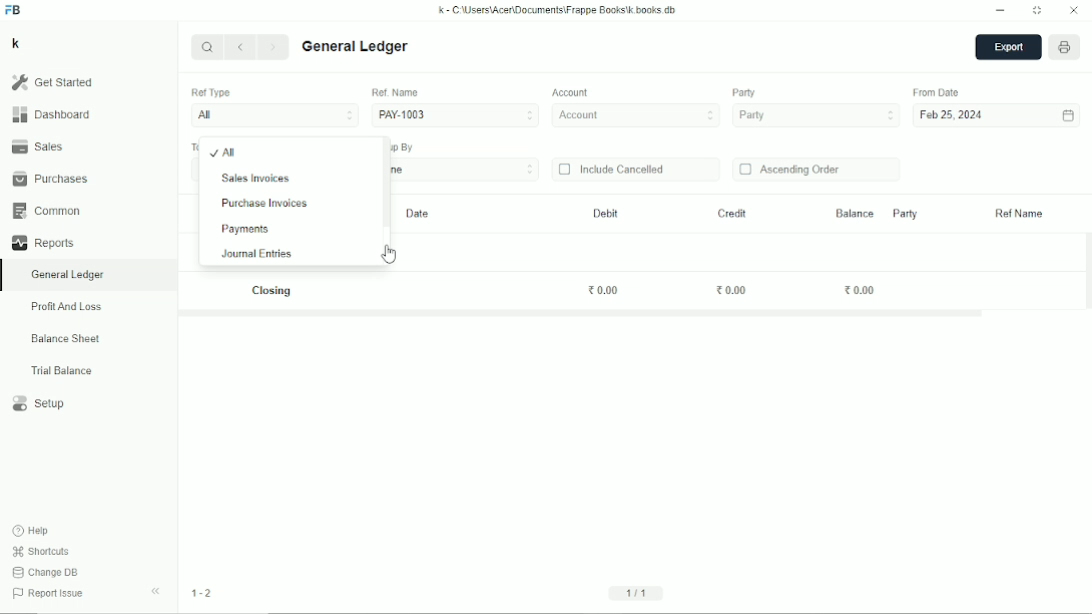 The height and width of the screenshot is (614, 1092). Describe the element at coordinates (455, 114) in the screenshot. I see `PAY-1003` at that location.